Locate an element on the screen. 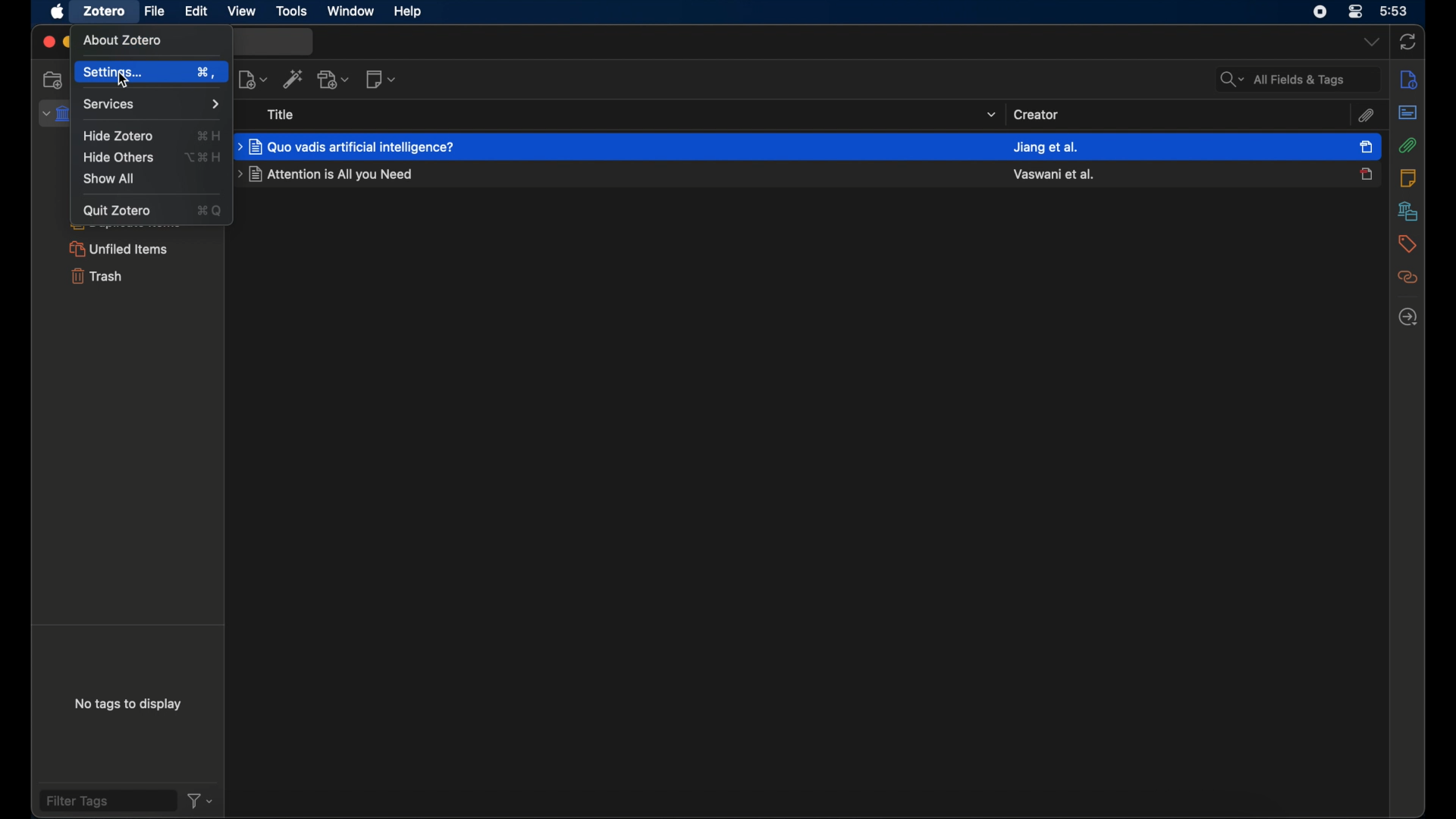  file is located at coordinates (154, 11).